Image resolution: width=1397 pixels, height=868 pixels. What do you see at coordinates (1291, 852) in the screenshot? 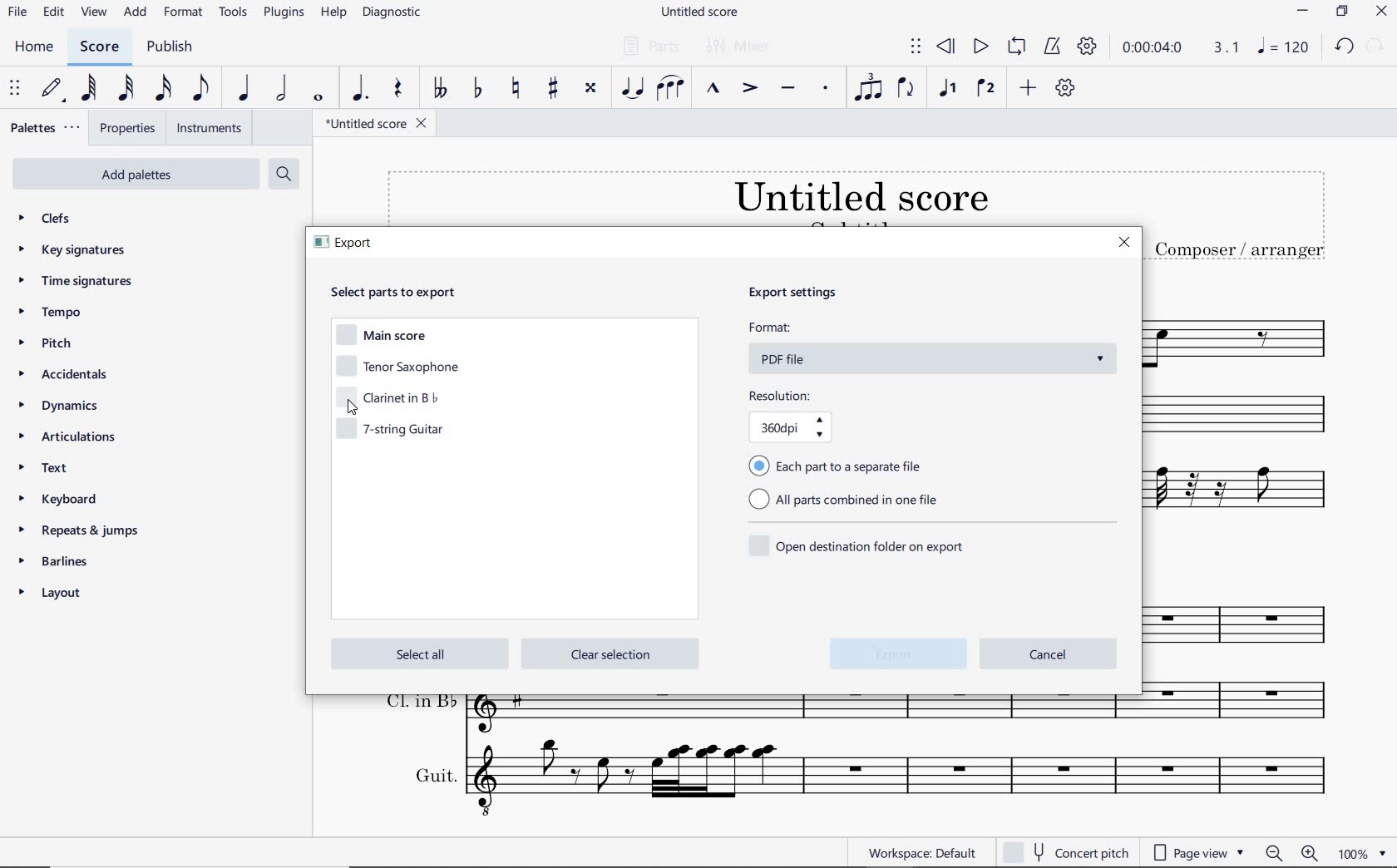
I see `zoom in or zoom out` at bounding box center [1291, 852].